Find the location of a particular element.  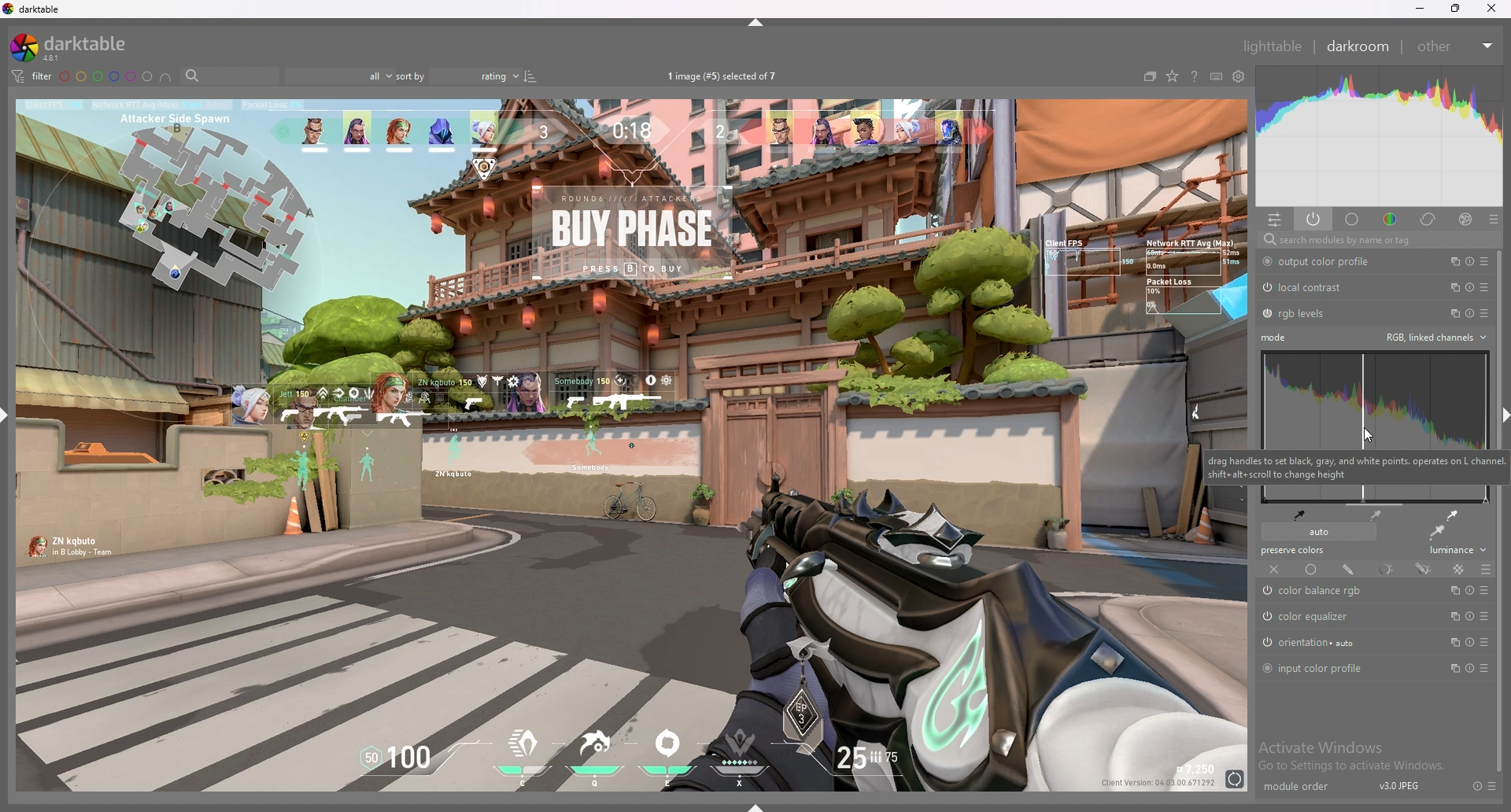

local contrast is located at coordinates (1315, 287).